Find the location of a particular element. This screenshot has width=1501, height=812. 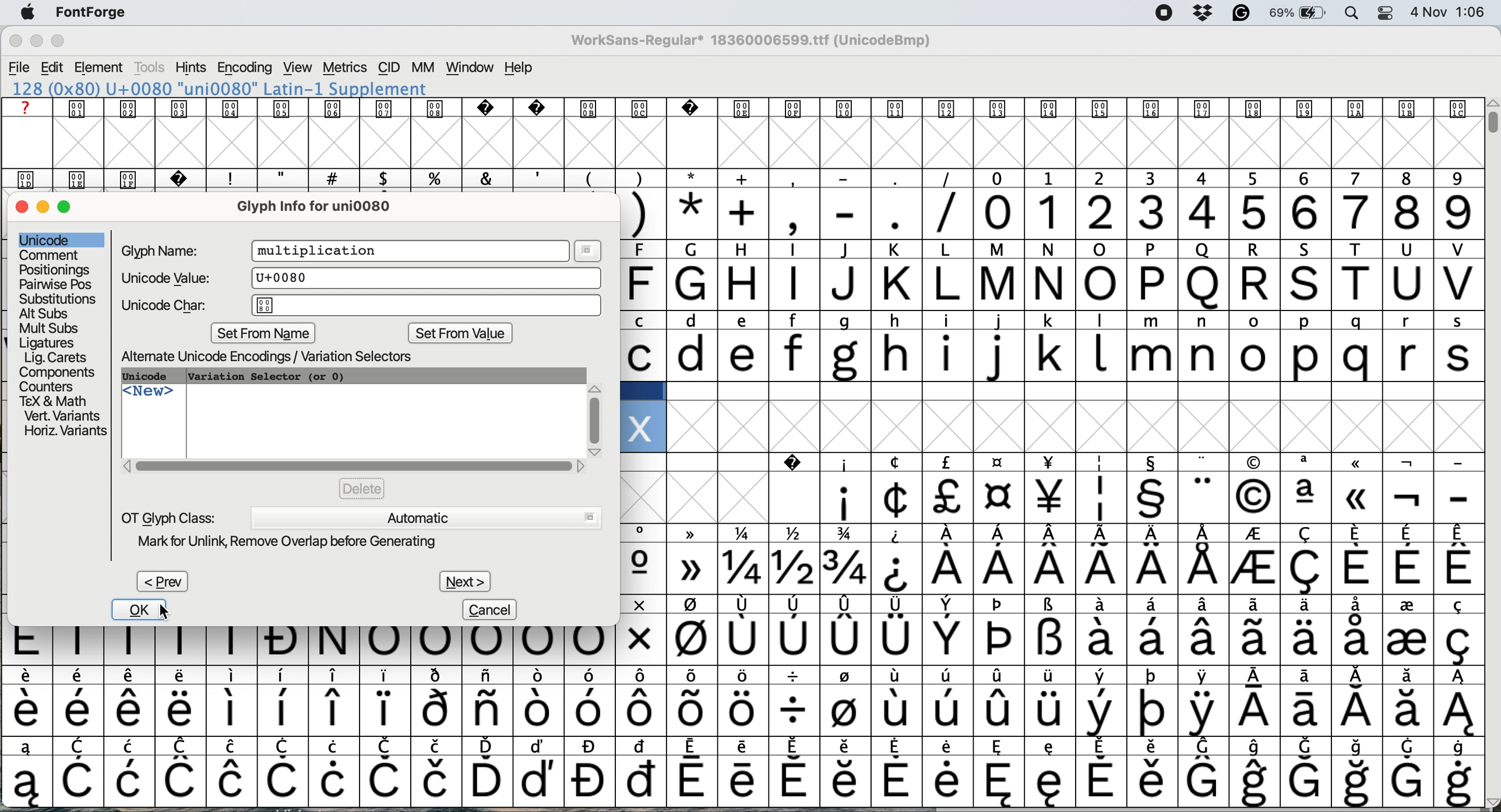

substitutions is located at coordinates (59, 299).